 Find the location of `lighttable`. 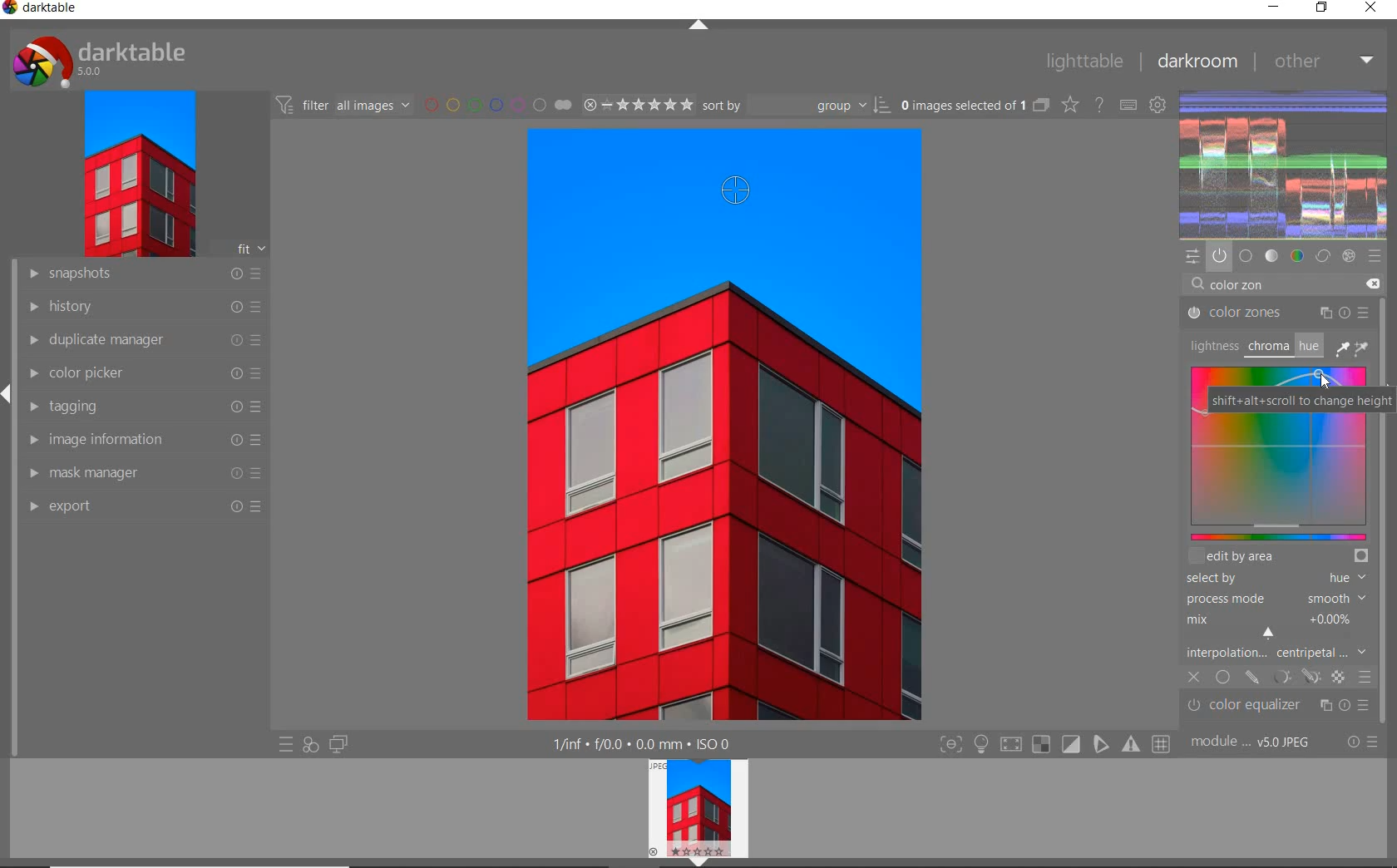

lighttable is located at coordinates (1083, 62).